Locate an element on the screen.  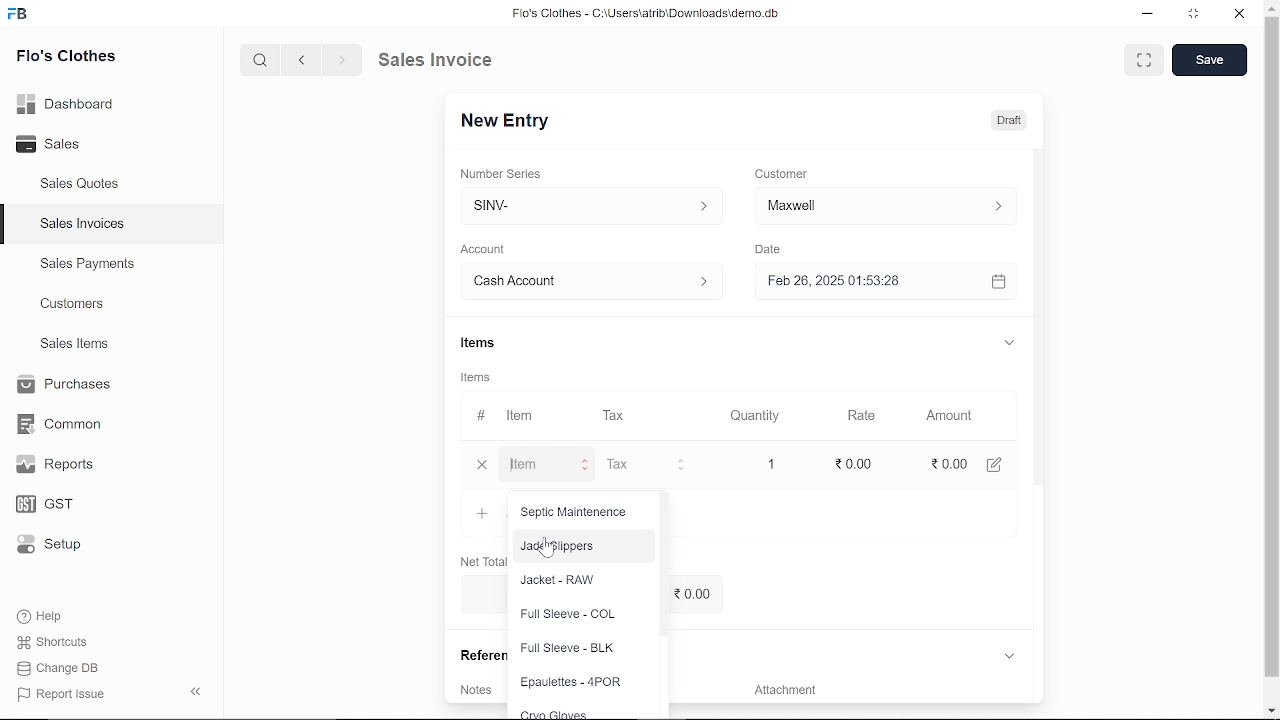
minimize is located at coordinates (1149, 12).